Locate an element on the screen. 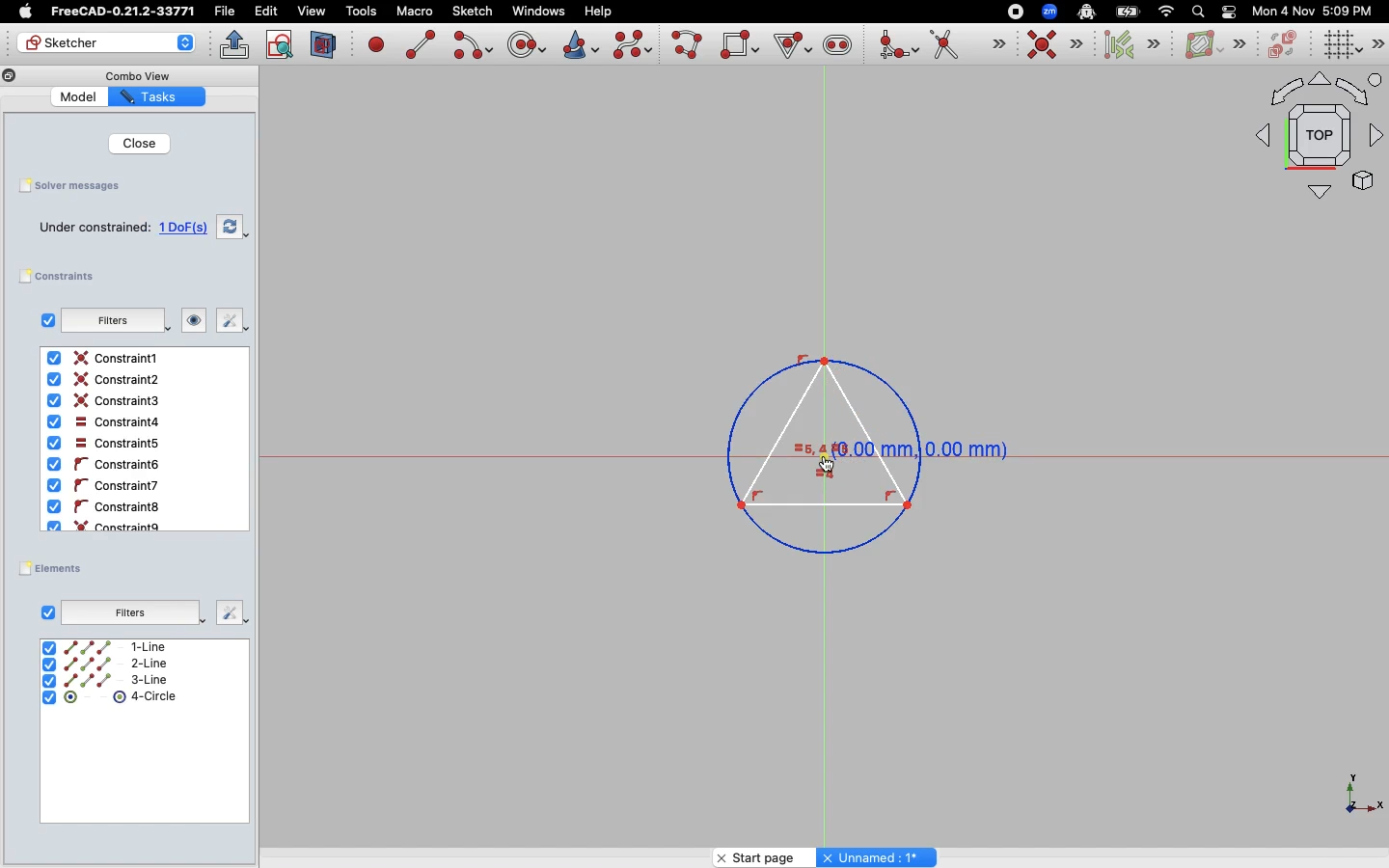  Swap is located at coordinates (232, 225).